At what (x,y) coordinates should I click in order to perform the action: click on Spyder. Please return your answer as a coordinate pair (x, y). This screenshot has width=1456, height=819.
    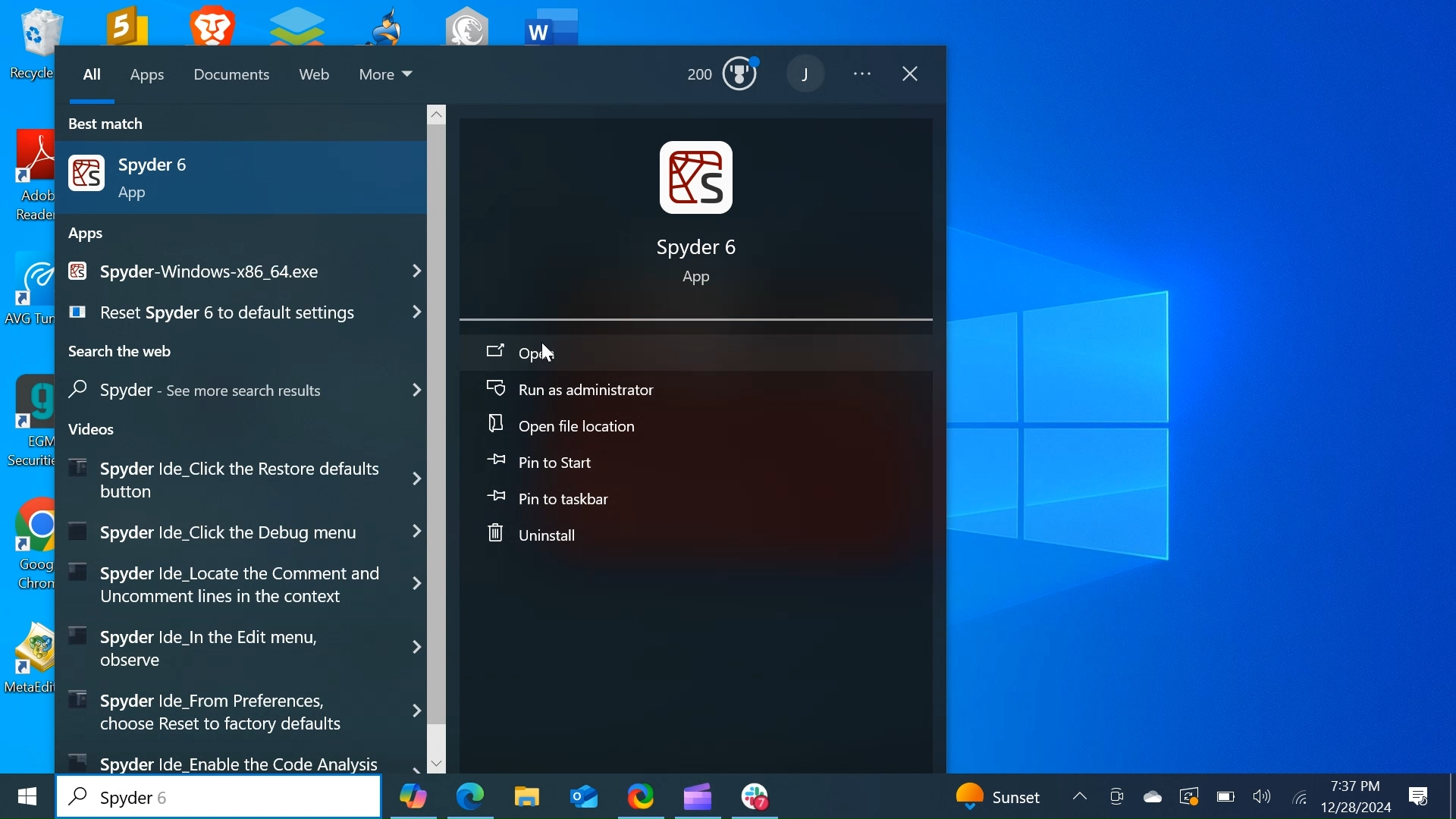
    Looking at the image, I should click on (243, 270).